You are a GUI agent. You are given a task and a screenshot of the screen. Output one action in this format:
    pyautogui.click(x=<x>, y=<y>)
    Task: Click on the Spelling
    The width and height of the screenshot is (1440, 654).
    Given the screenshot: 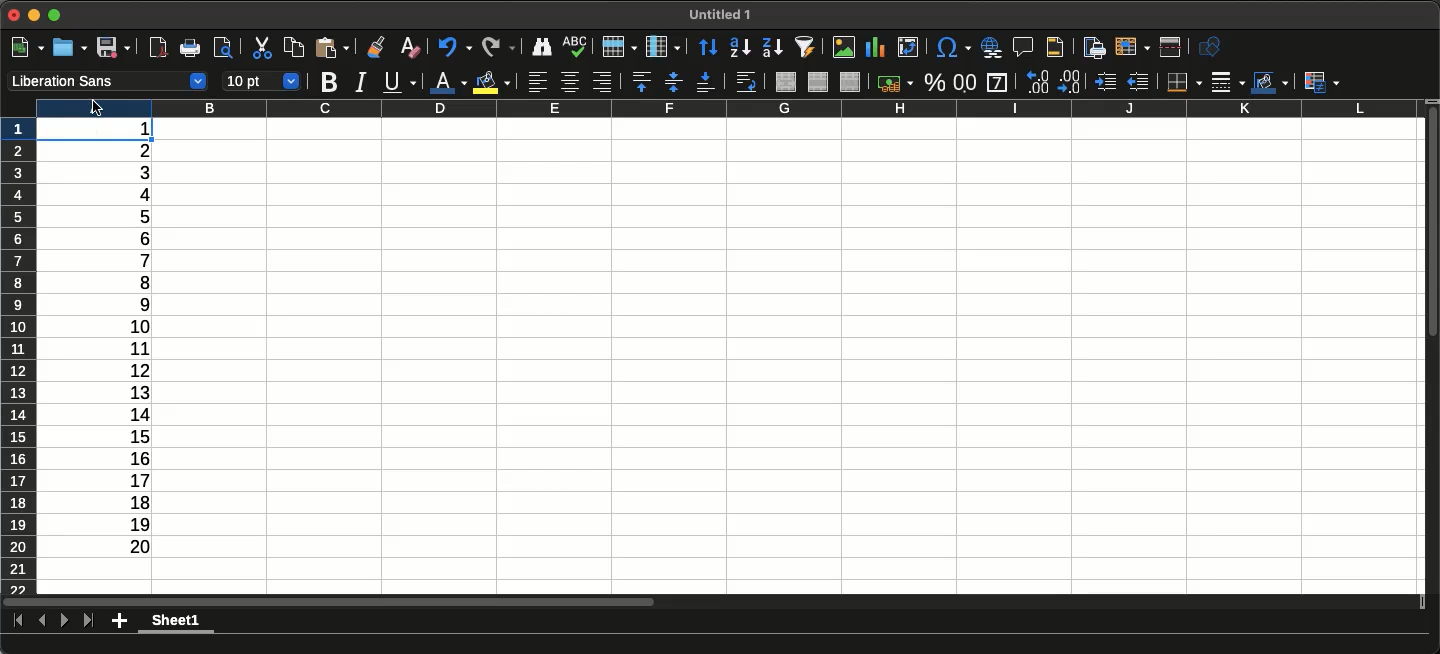 What is the action you would take?
    pyautogui.click(x=574, y=45)
    